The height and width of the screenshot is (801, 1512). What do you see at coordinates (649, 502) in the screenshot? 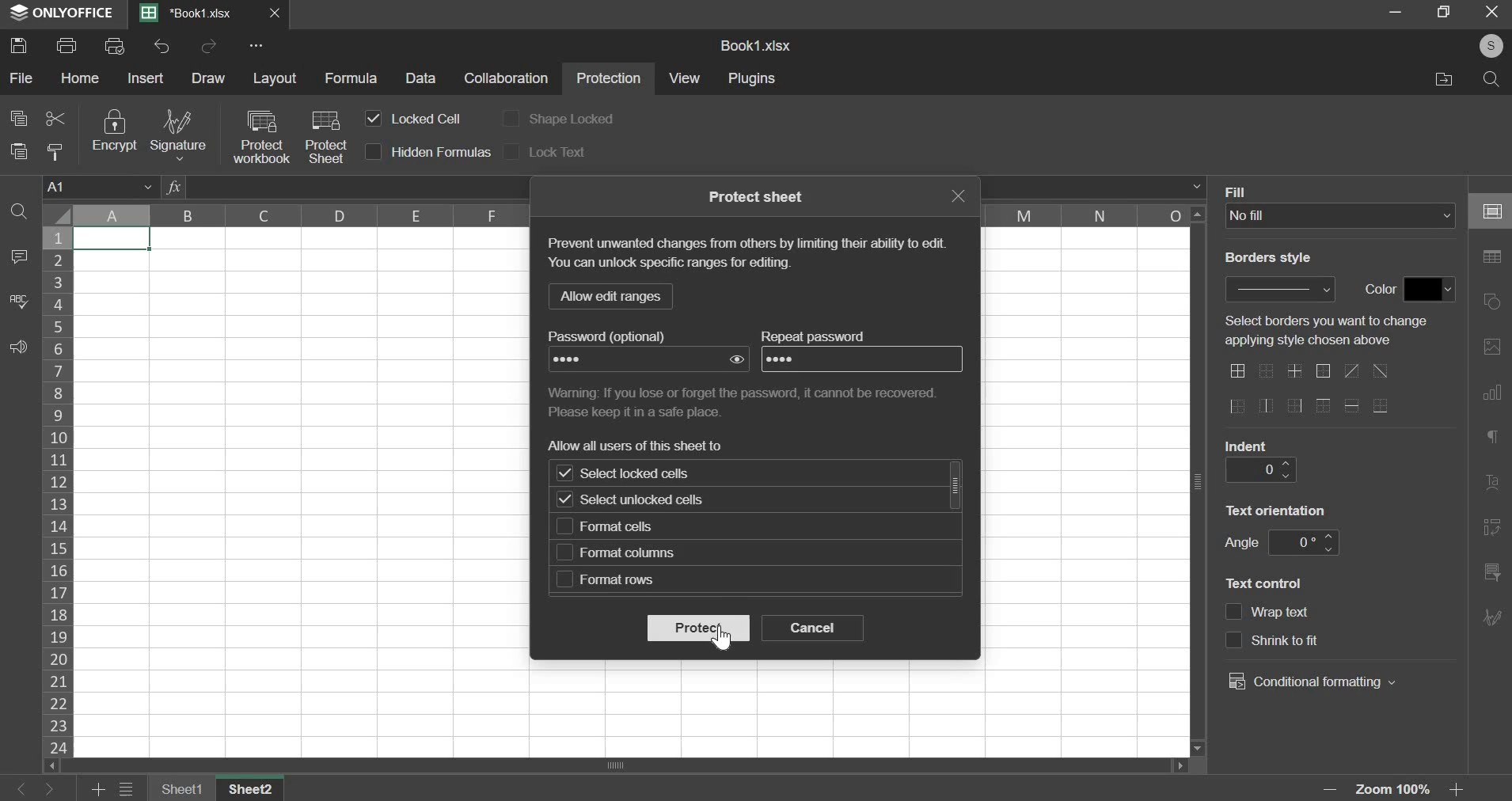
I see `select unlocked cells` at bounding box center [649, 502].